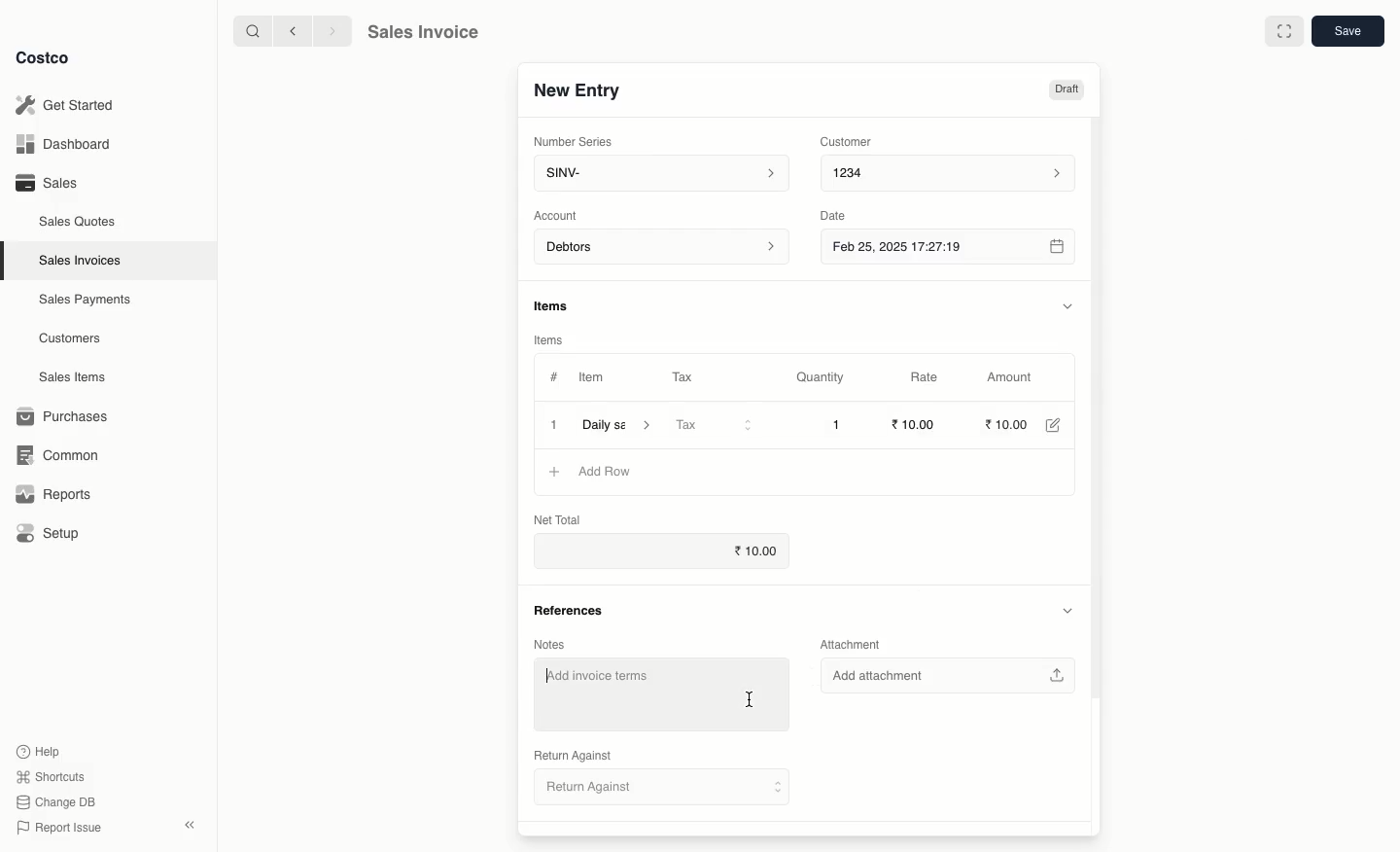  What do you see at coordinates (750, 552) in the screenshot?
I see `10.00` at bounding box center [750, 552].